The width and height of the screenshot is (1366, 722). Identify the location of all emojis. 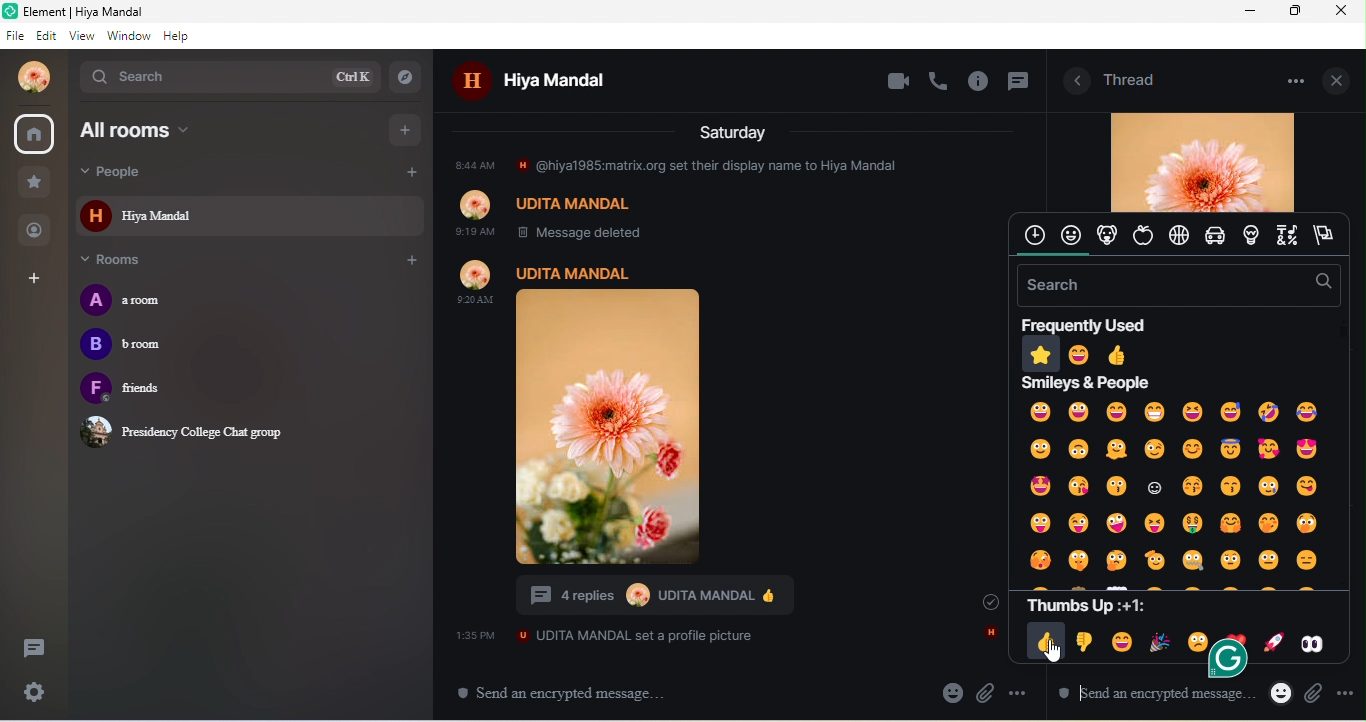
(1176, 486).